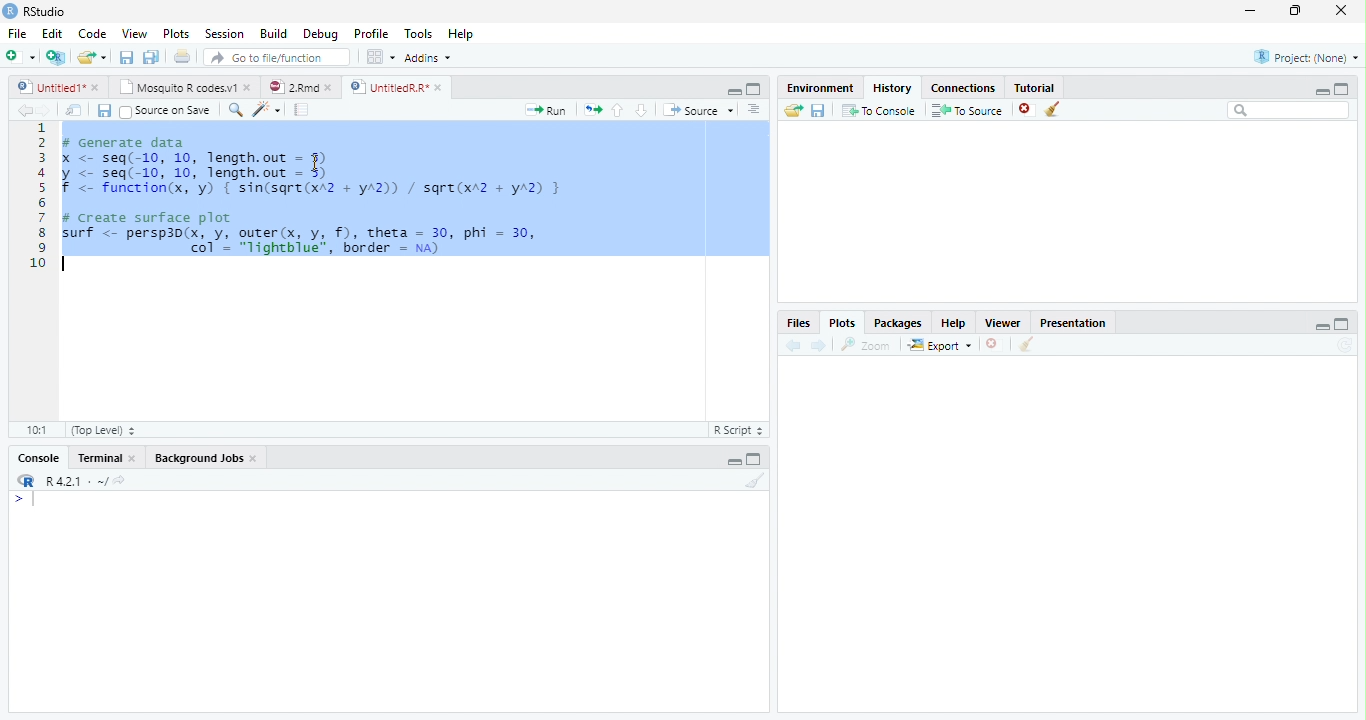  I want to click on Session, so click(223, 34).